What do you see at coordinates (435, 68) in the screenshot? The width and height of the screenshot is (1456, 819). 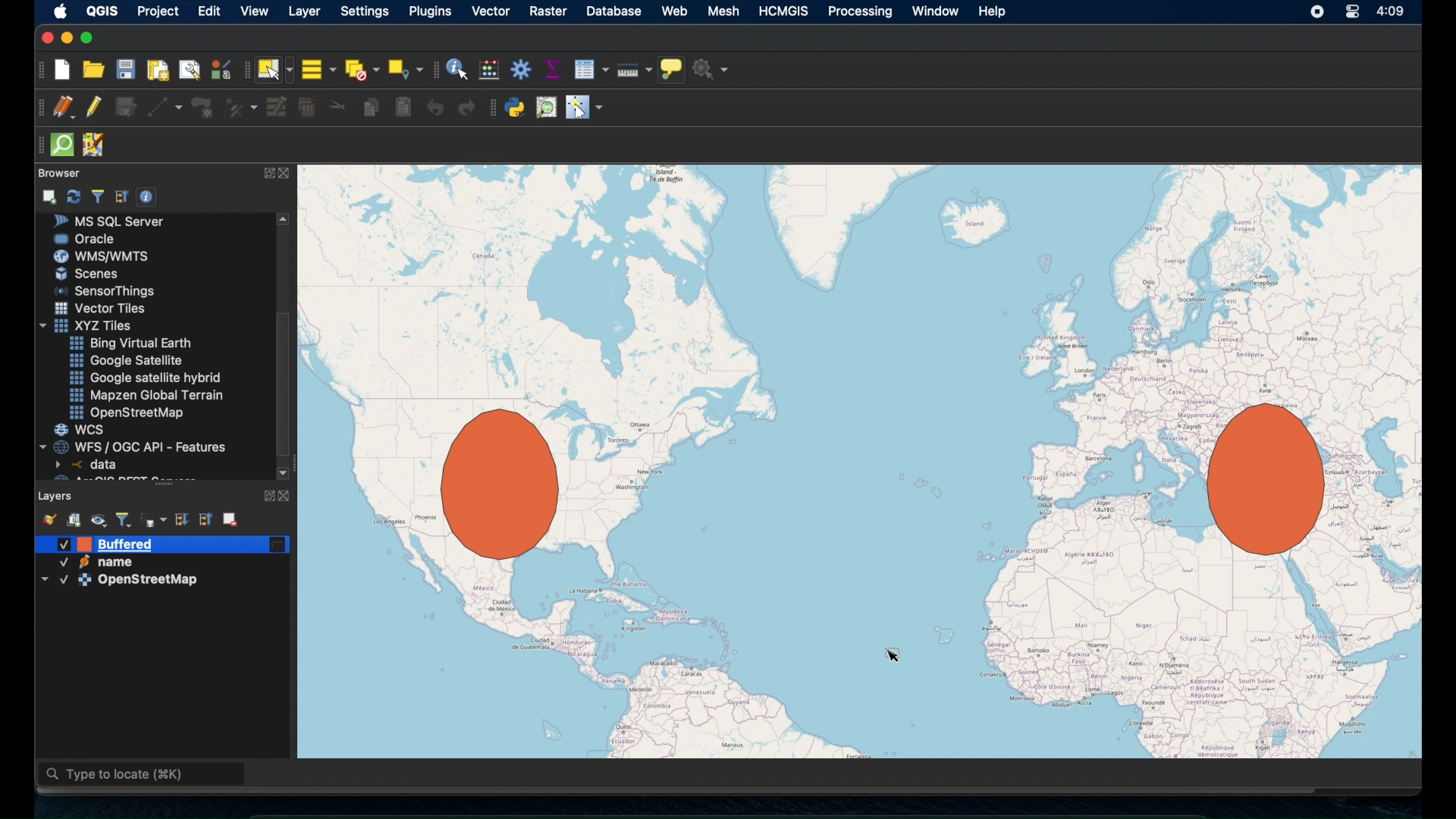 I see `attributes toolbar` at bounding box center [435, 68].